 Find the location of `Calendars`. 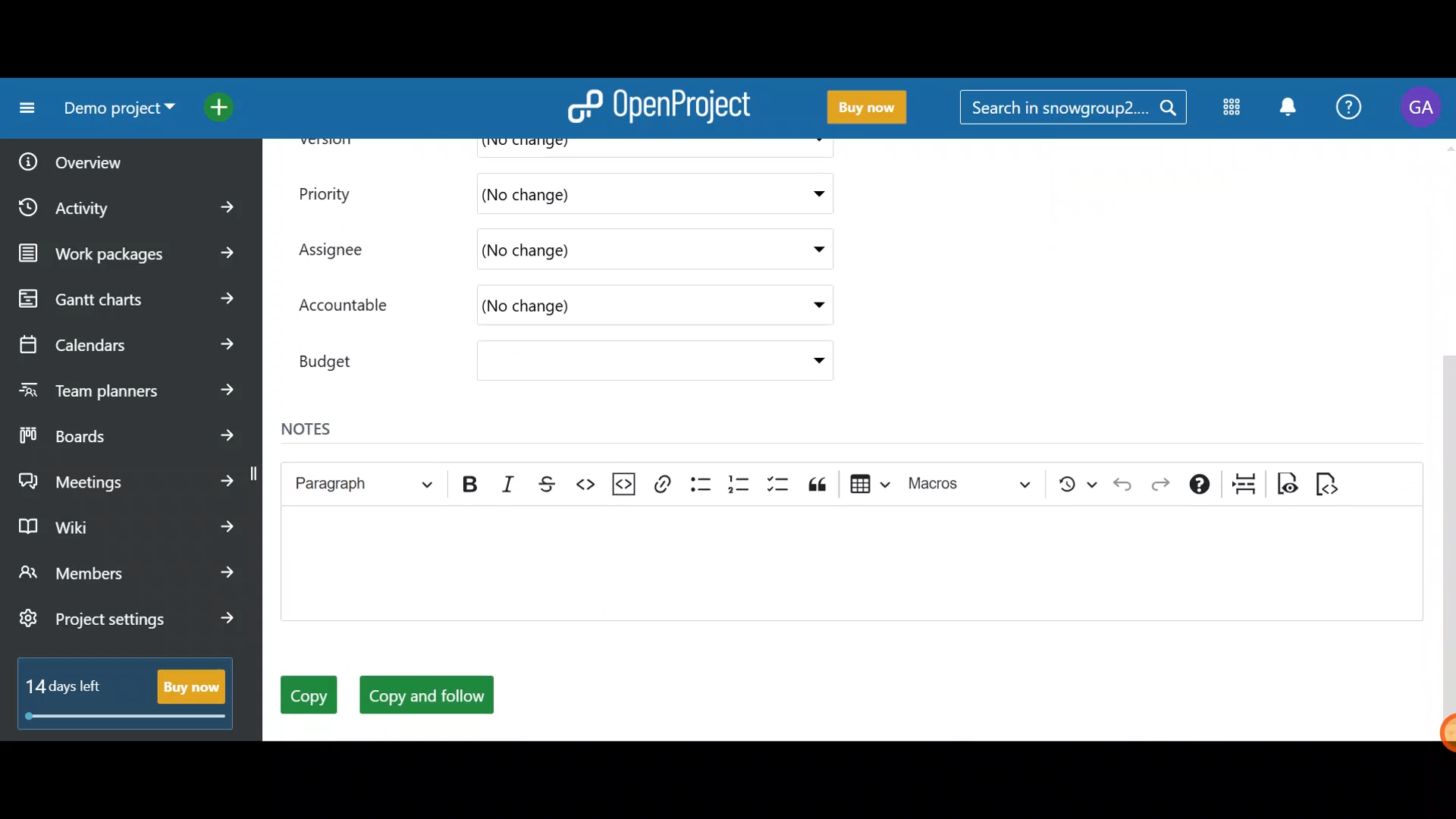

Calendars is located at coordinates (126, 338).